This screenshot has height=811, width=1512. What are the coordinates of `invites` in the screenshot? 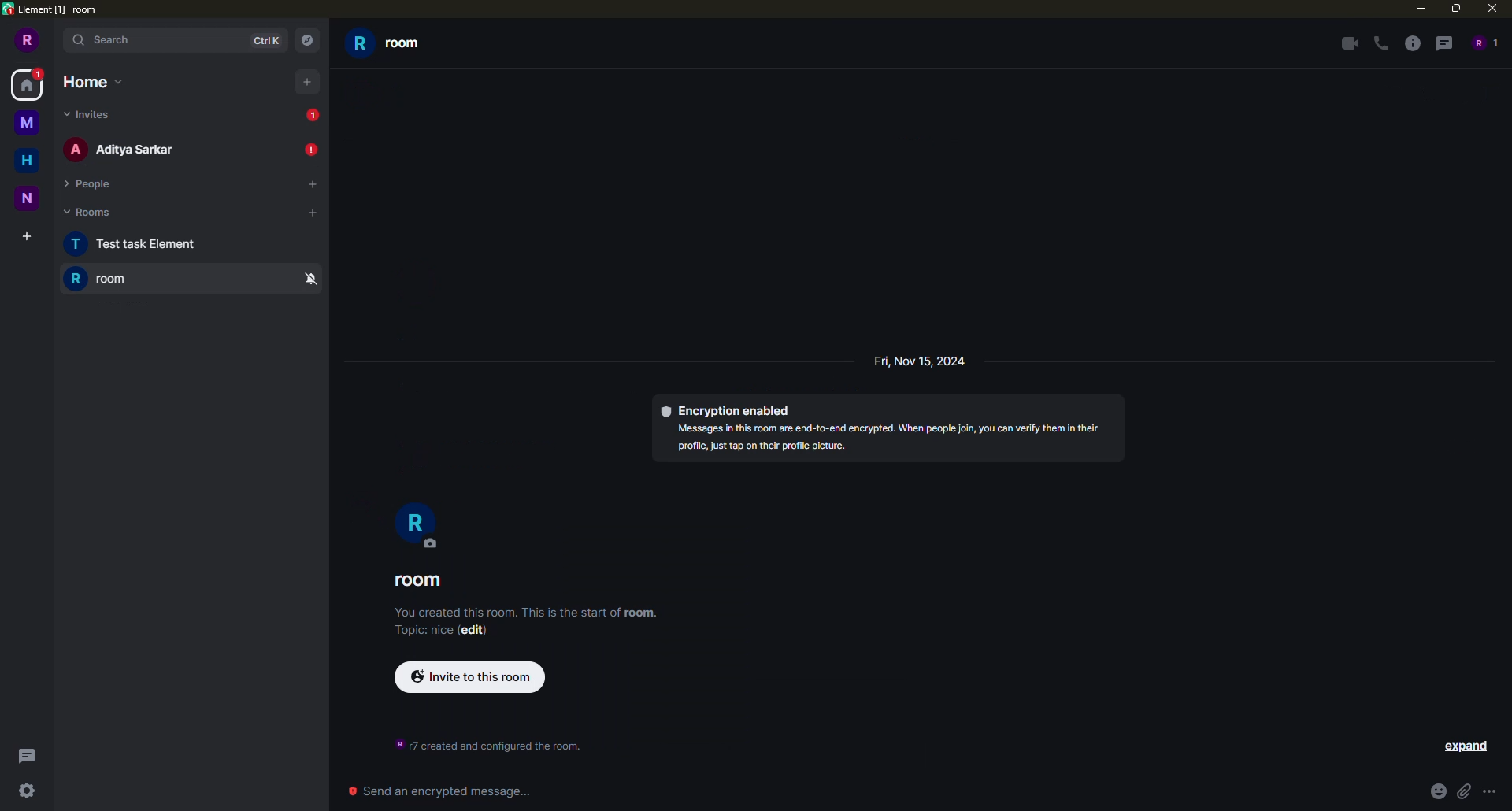 It's located at (85, 116).